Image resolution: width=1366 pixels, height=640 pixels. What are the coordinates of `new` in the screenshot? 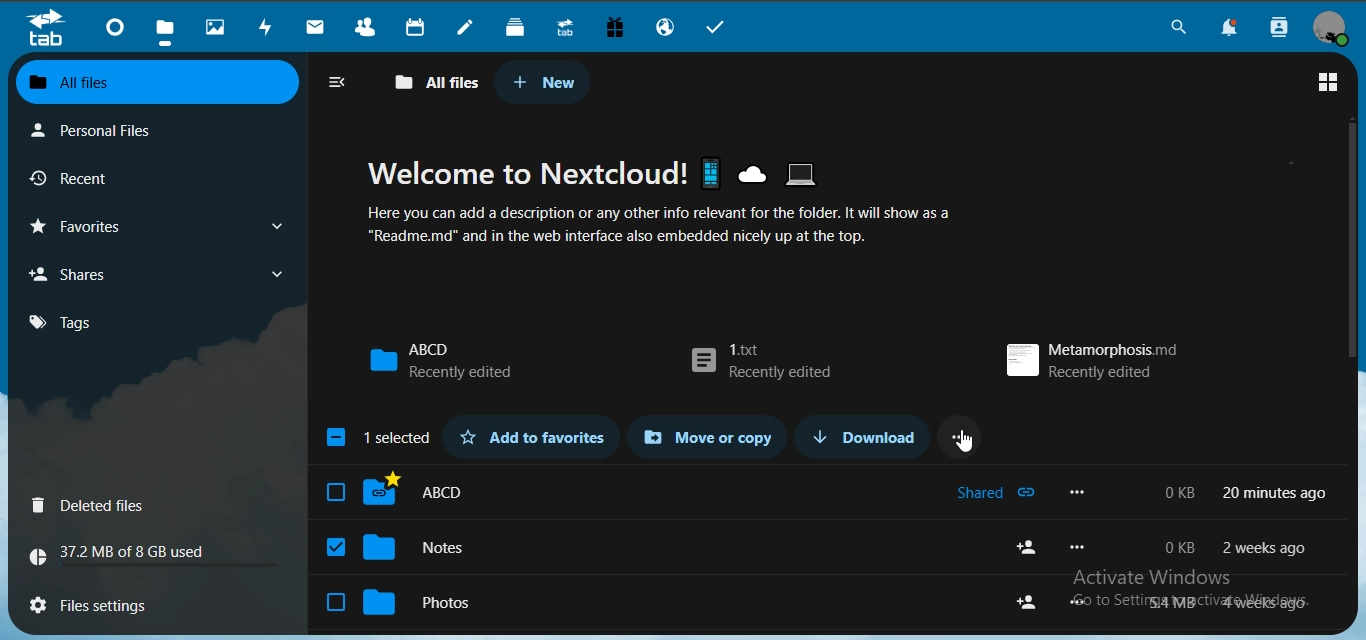 It's located at (544, 81).